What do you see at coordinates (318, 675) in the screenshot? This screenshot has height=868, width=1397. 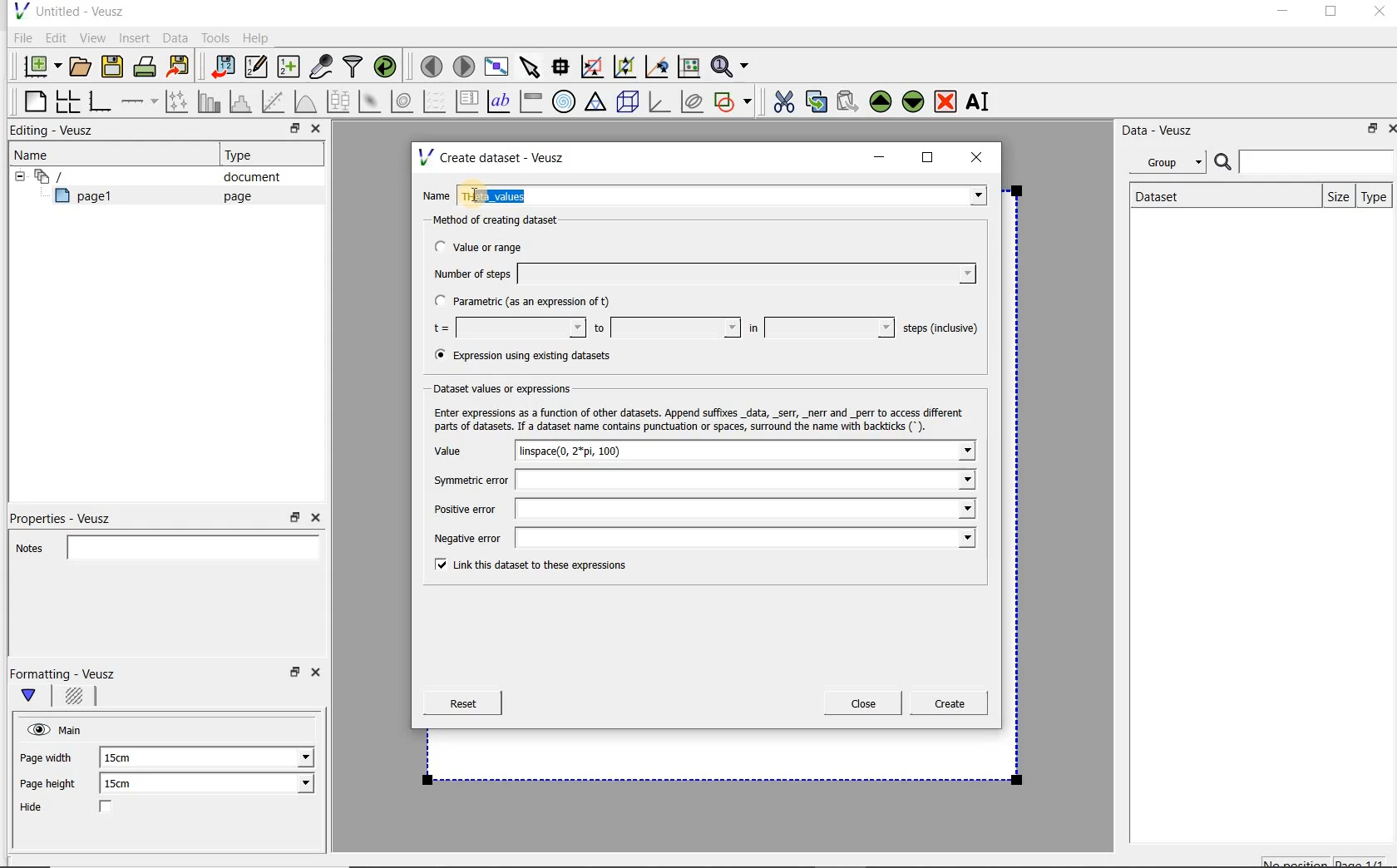 I see `Close` at bounding box center [318, 675].